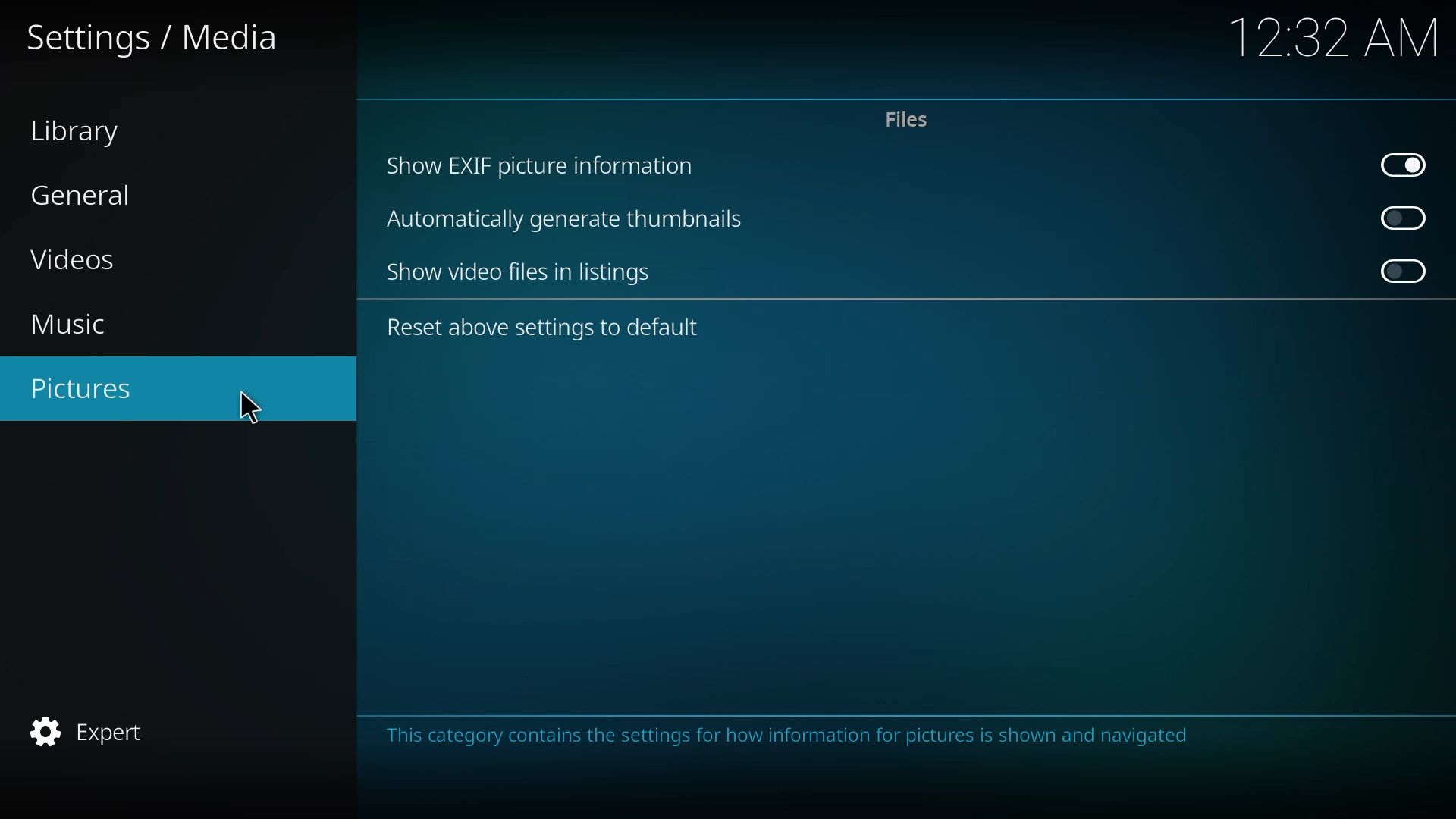 This screenshot has width=1456, height=819. Describe the element at coordinates (93, 387) in the screenshot. I see `pictures` at that location.